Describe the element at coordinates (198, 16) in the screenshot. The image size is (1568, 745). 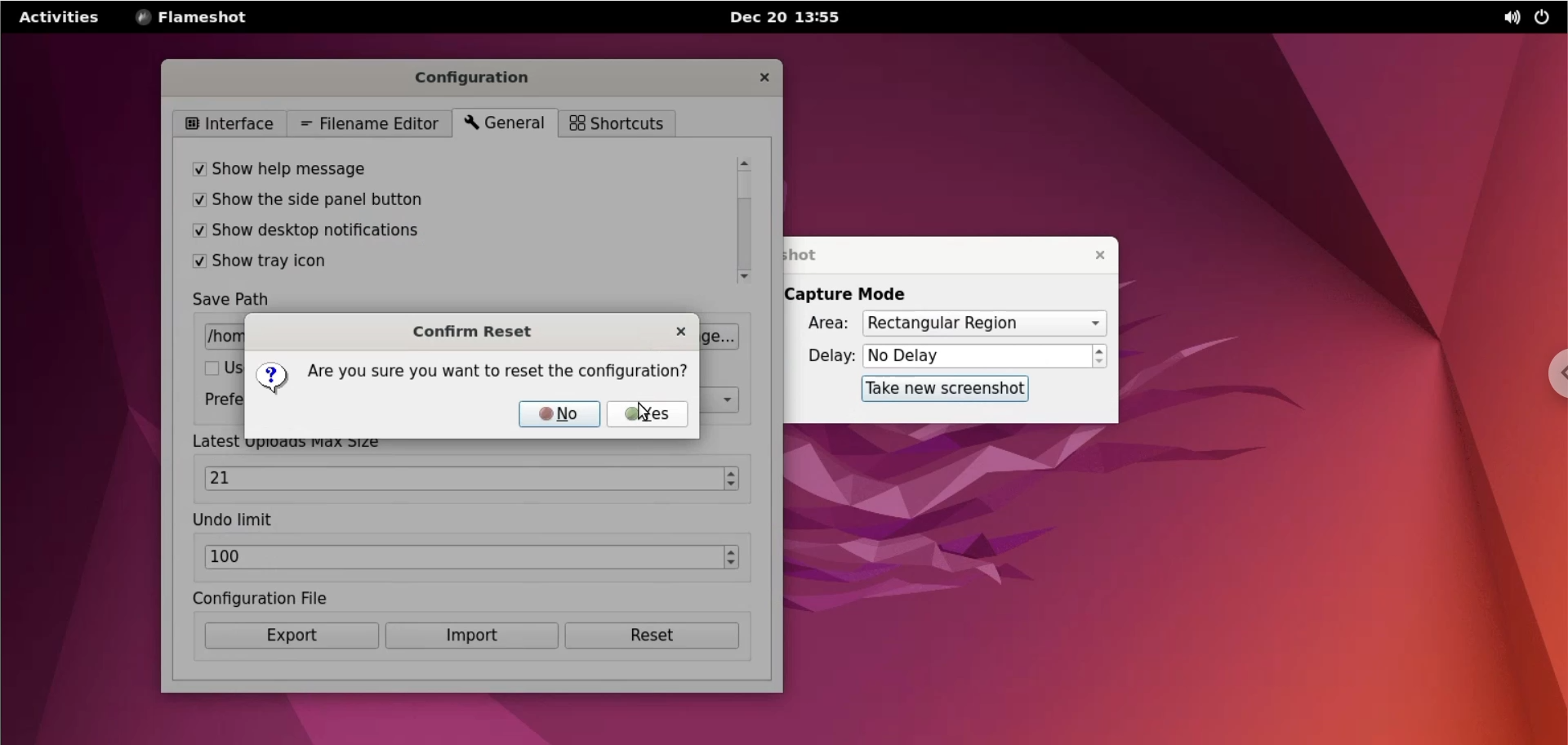
I see `flameshot options` at that location.